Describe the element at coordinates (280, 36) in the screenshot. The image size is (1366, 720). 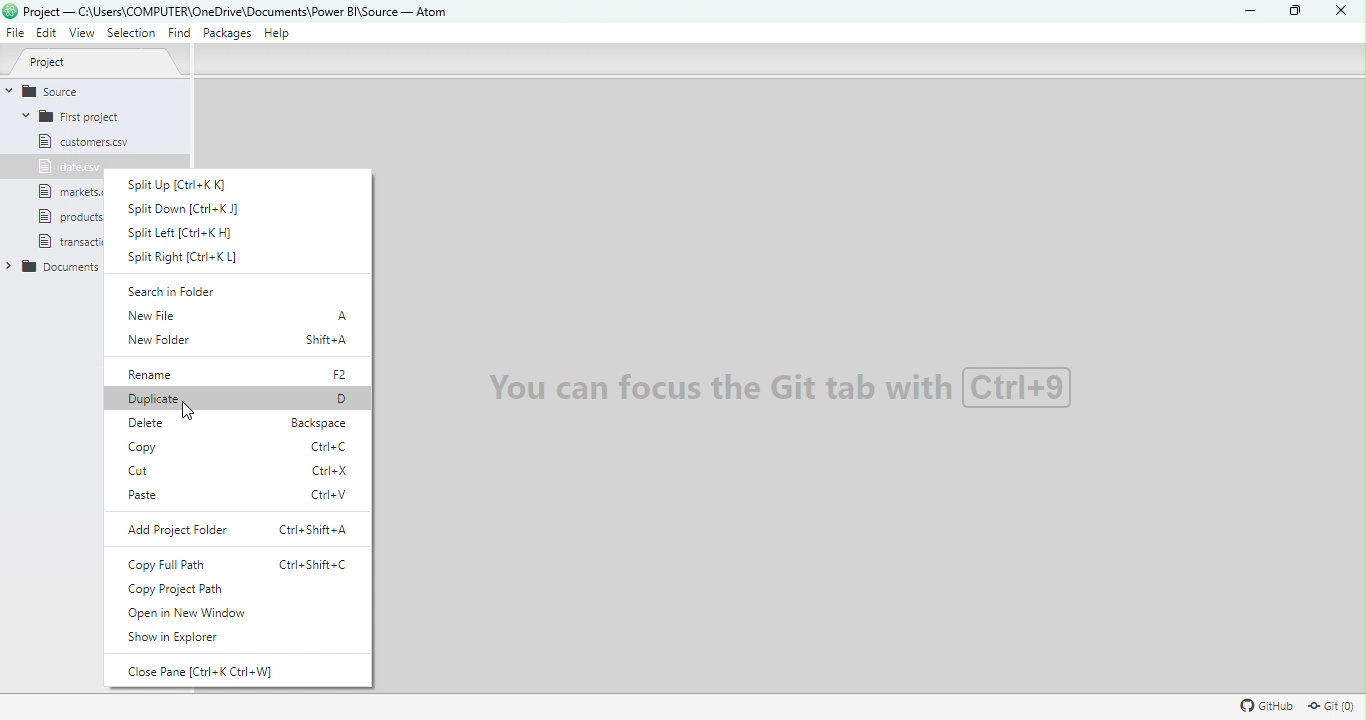
I see `Help` at that location.